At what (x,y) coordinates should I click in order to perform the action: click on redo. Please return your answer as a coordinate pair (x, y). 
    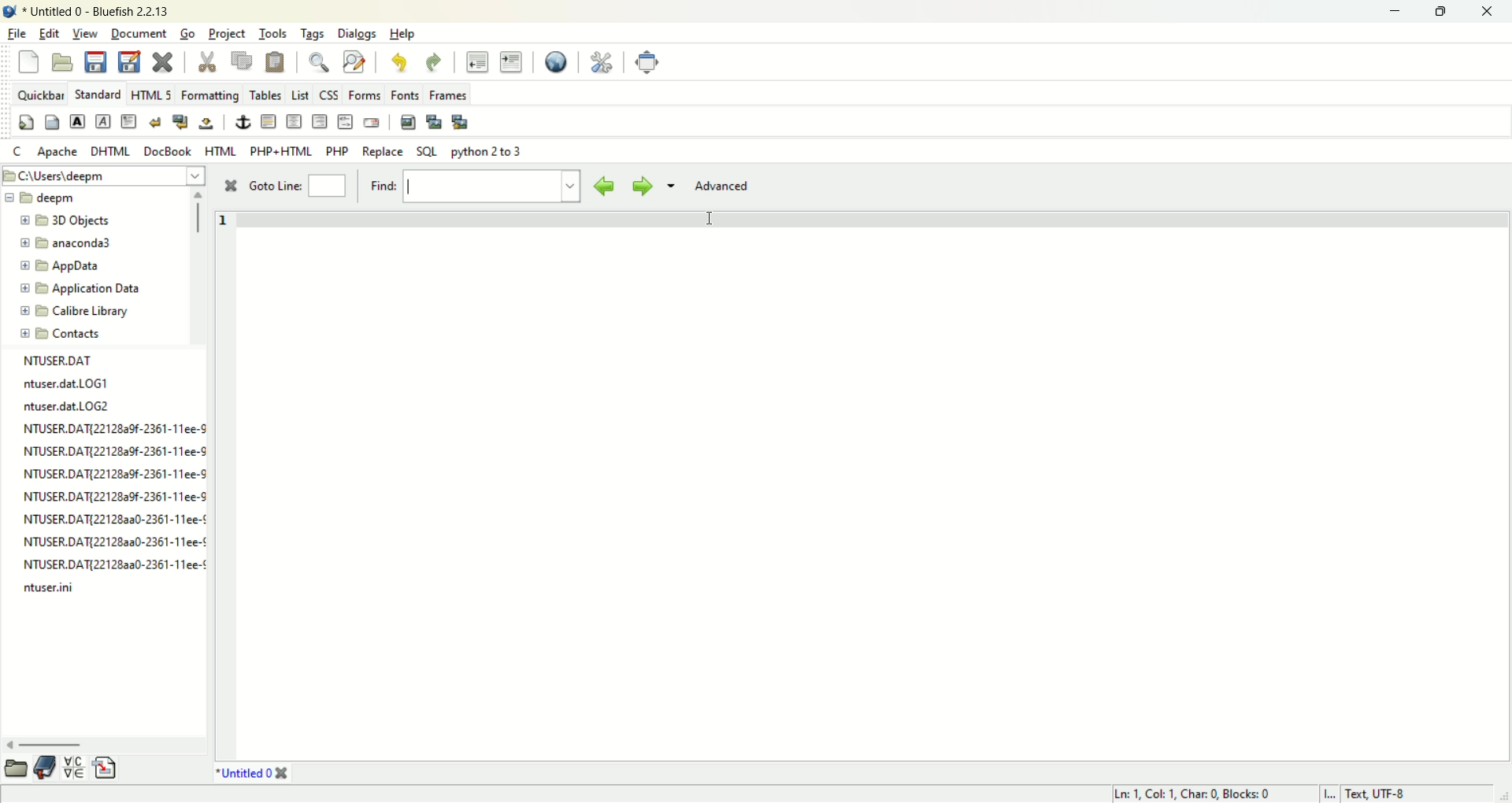
    Looking at the image, I should click on (434, 63).